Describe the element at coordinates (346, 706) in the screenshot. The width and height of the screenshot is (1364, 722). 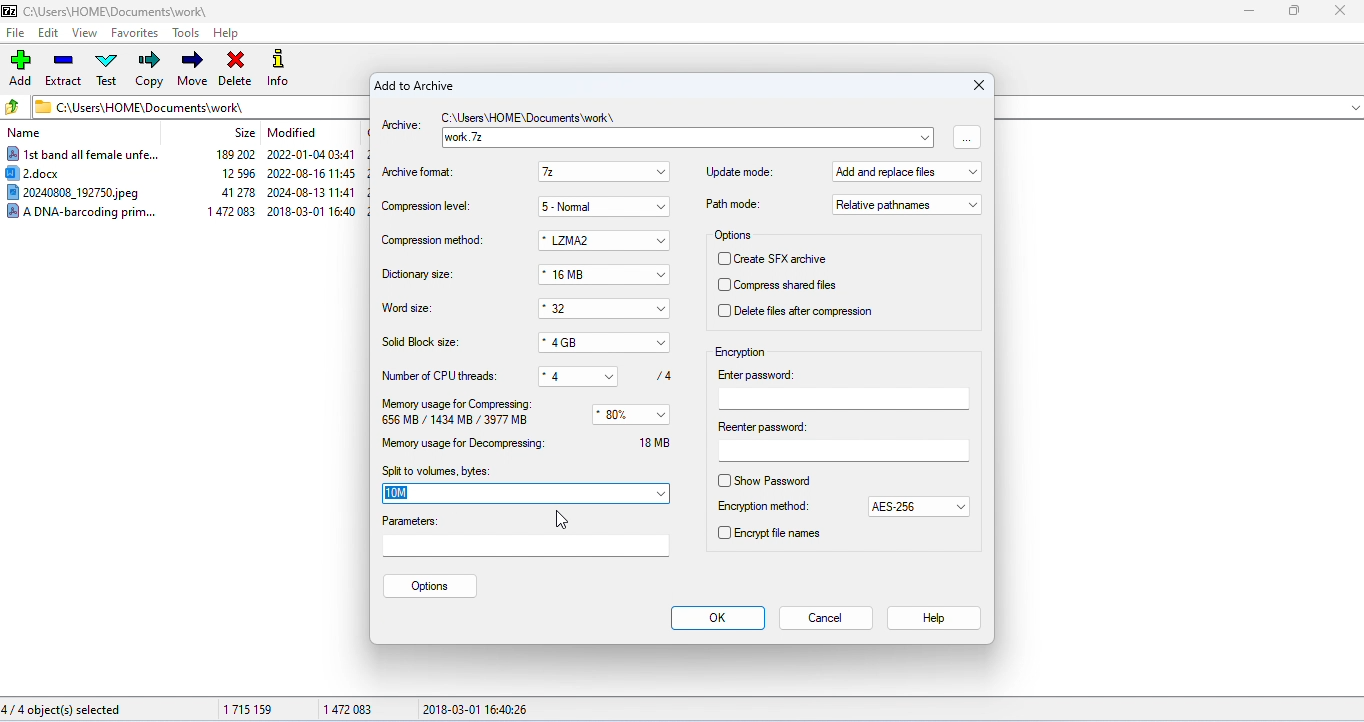
I see `147083` at that location.